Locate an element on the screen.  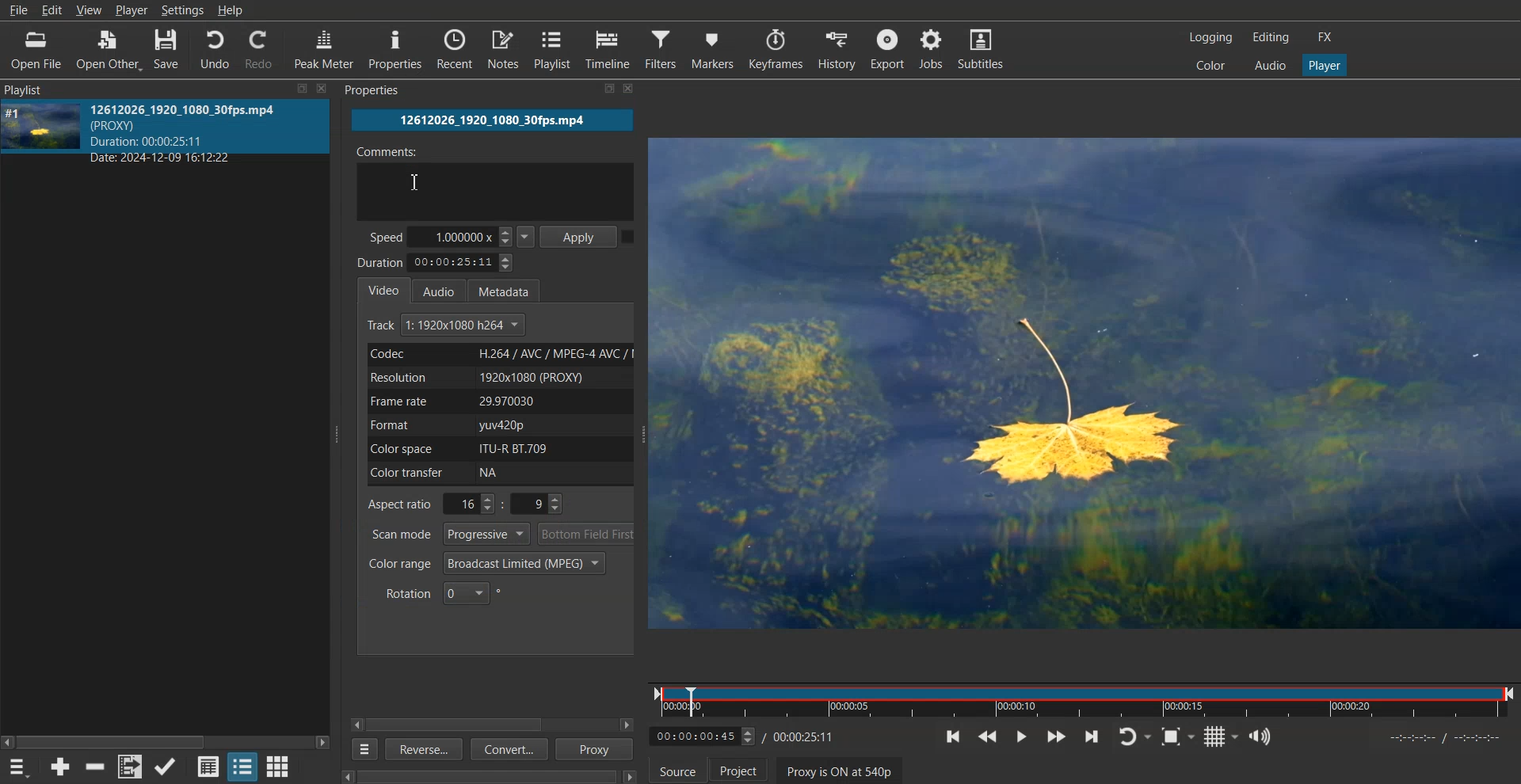
Update is located at coordinates (166, 767).